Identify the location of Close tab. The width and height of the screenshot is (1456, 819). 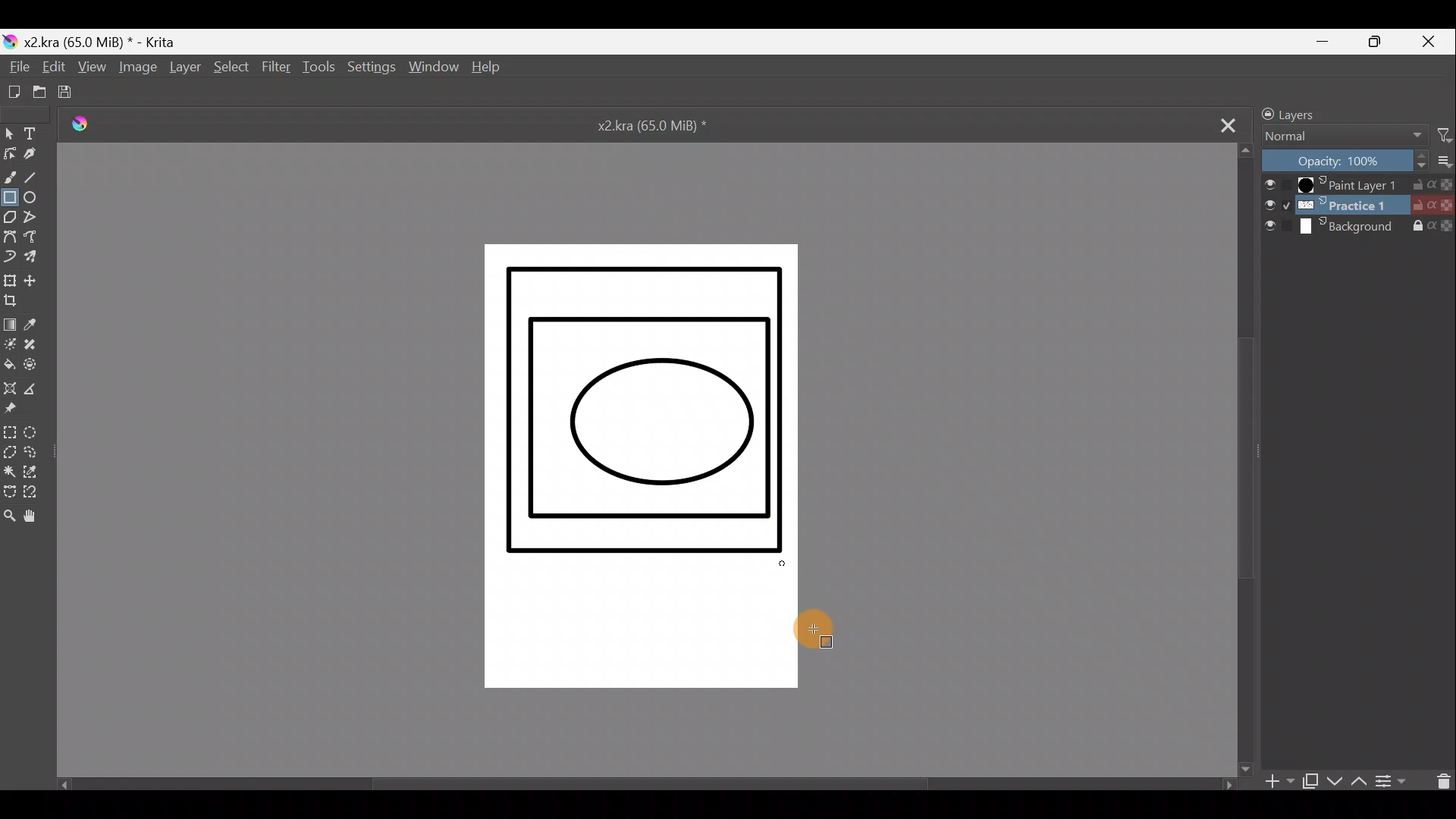
(1222, 127).